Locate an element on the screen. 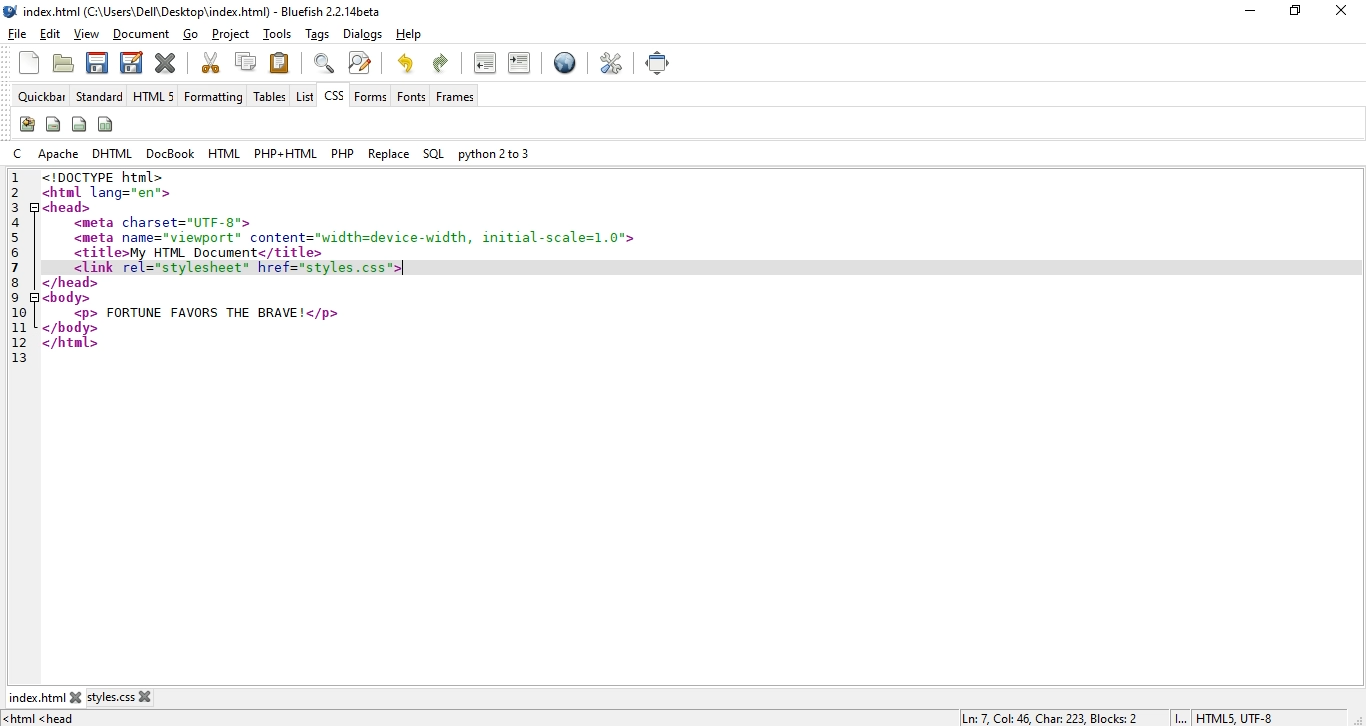 This screenshot has width=1366, height=726. create stylesheet is located at coordinates (26, 124).